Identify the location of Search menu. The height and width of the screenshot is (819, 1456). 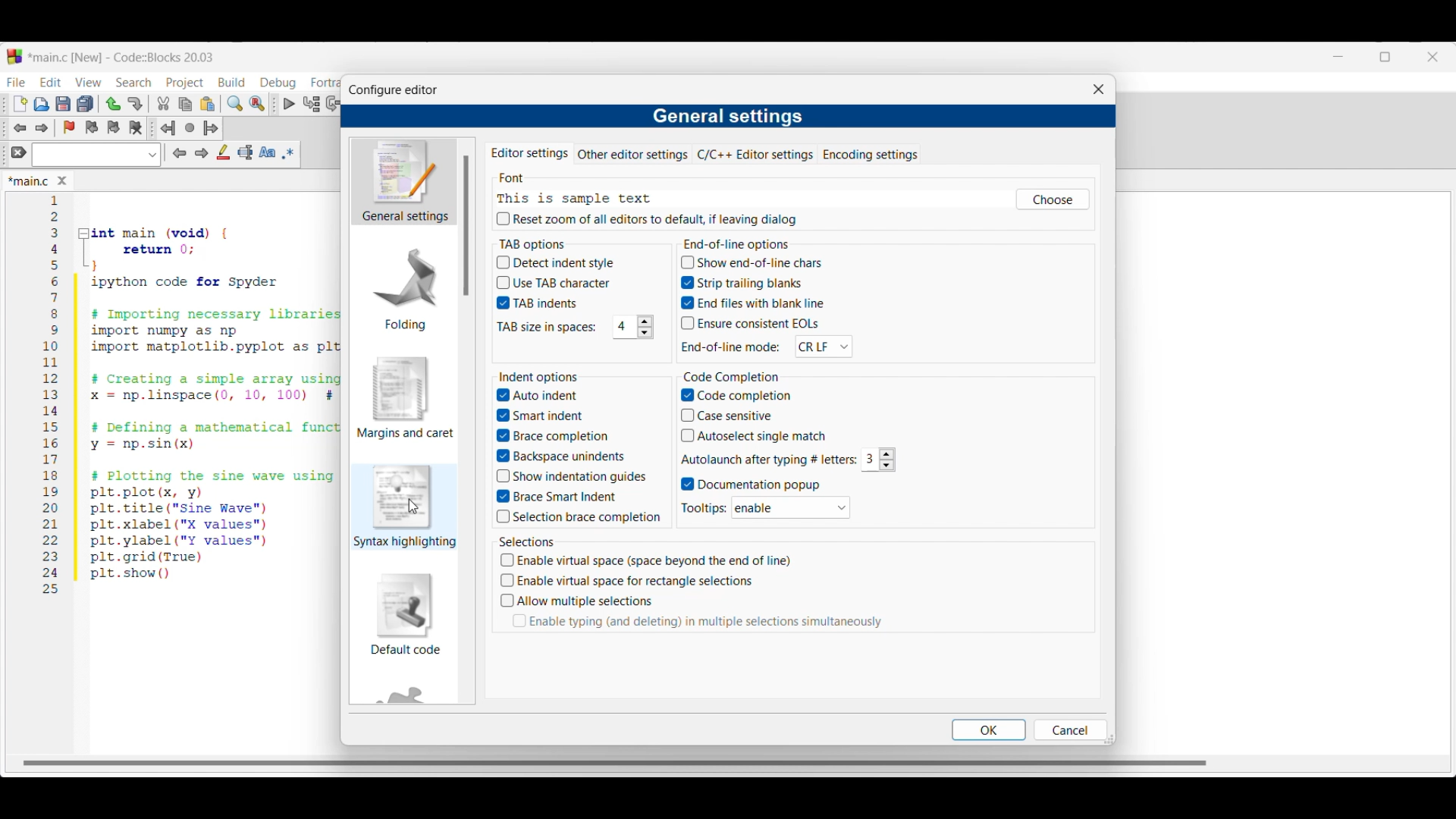
(133, 83).